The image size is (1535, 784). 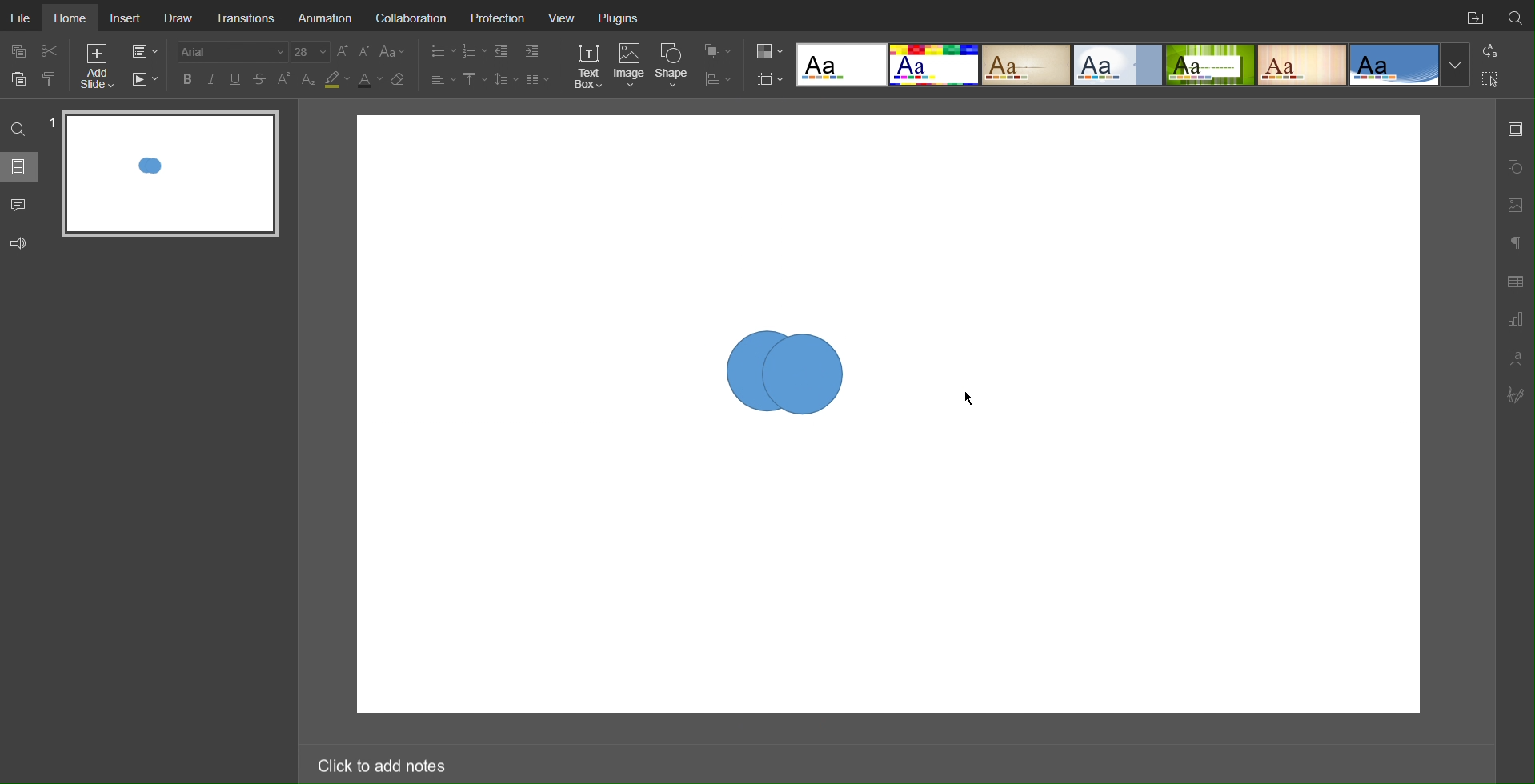 What do you see at coordinates (145, 79) in the screenshot?
I see `Playback Settings` at bounding box center [145, 79].